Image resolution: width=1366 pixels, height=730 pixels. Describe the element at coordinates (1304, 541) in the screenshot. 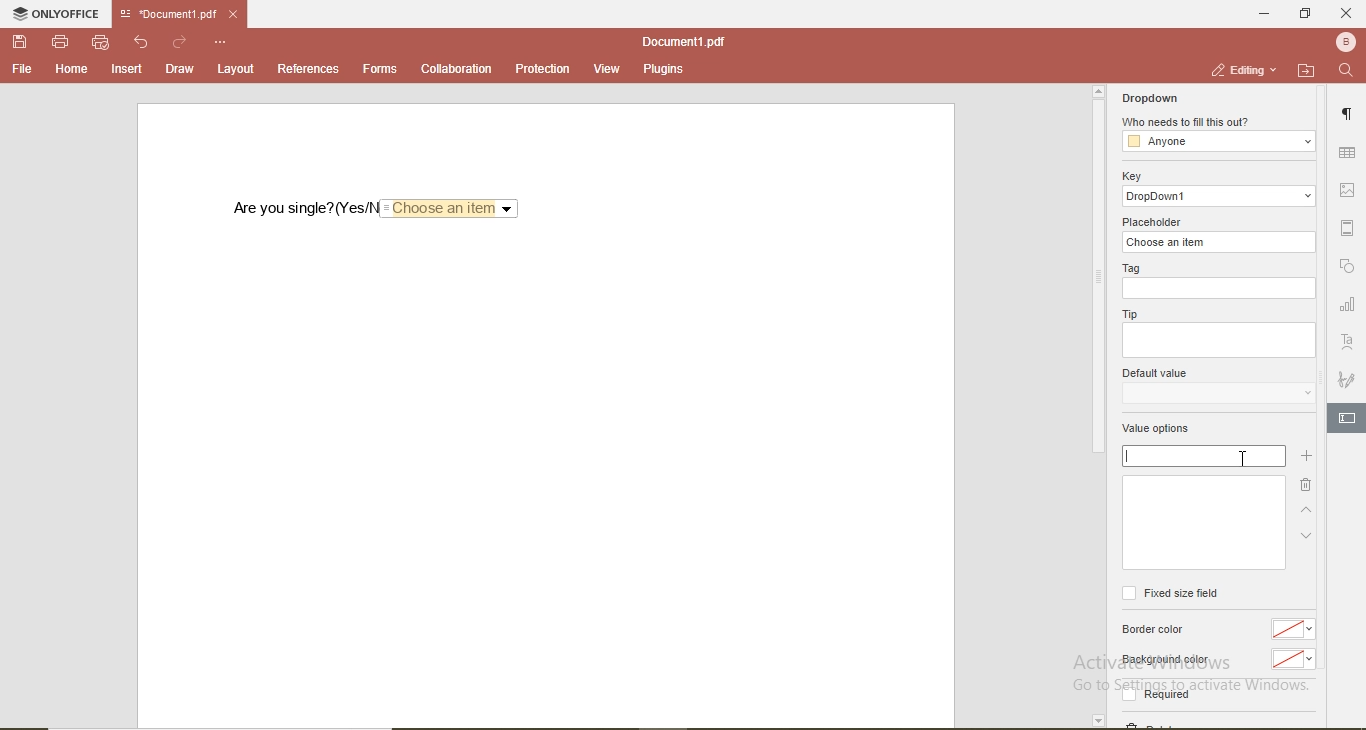

I see `down` at that location.